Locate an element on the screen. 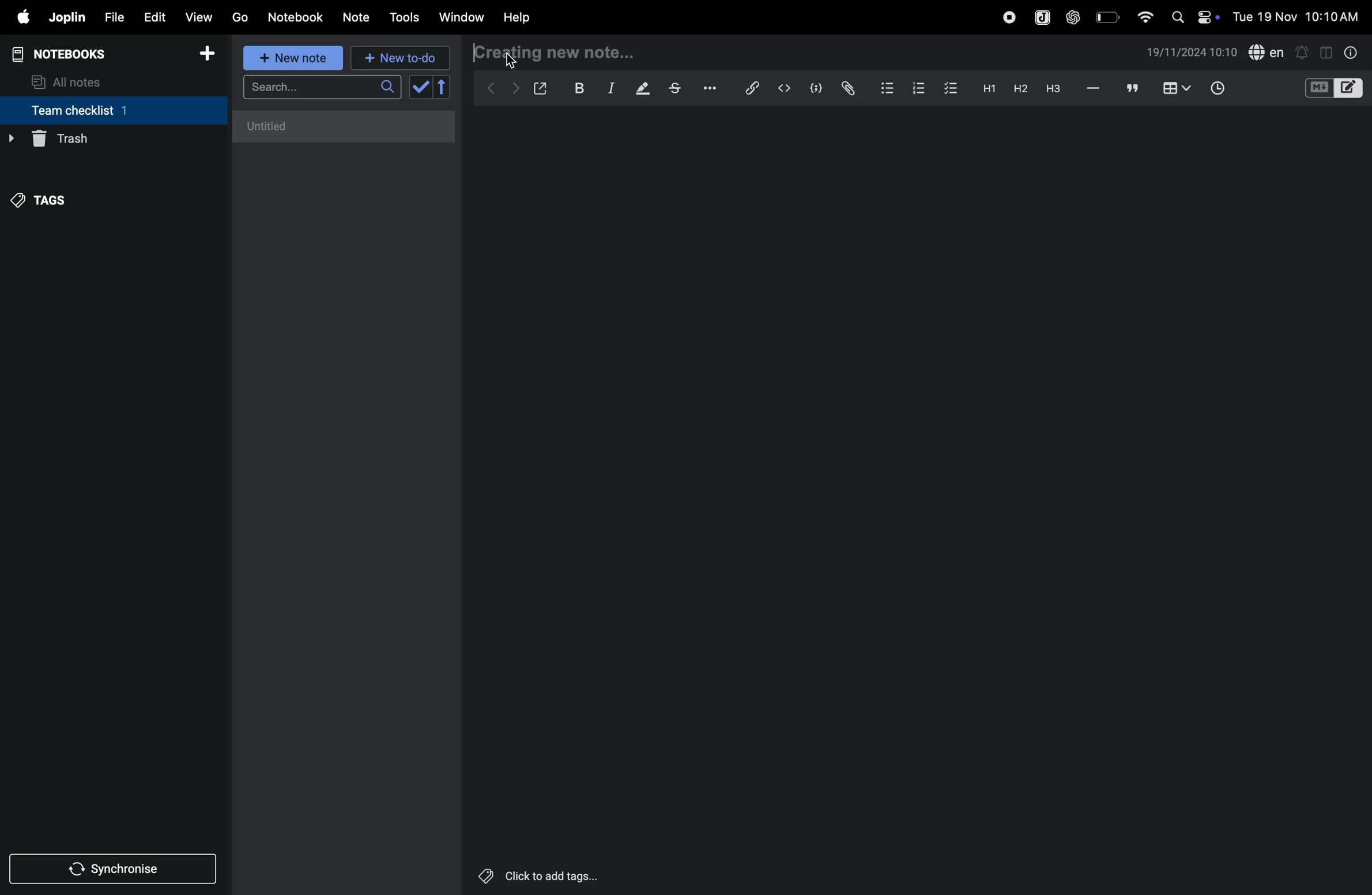 This screenshot has height=895, width=1372. comments is located at coordinates (1130, 89).